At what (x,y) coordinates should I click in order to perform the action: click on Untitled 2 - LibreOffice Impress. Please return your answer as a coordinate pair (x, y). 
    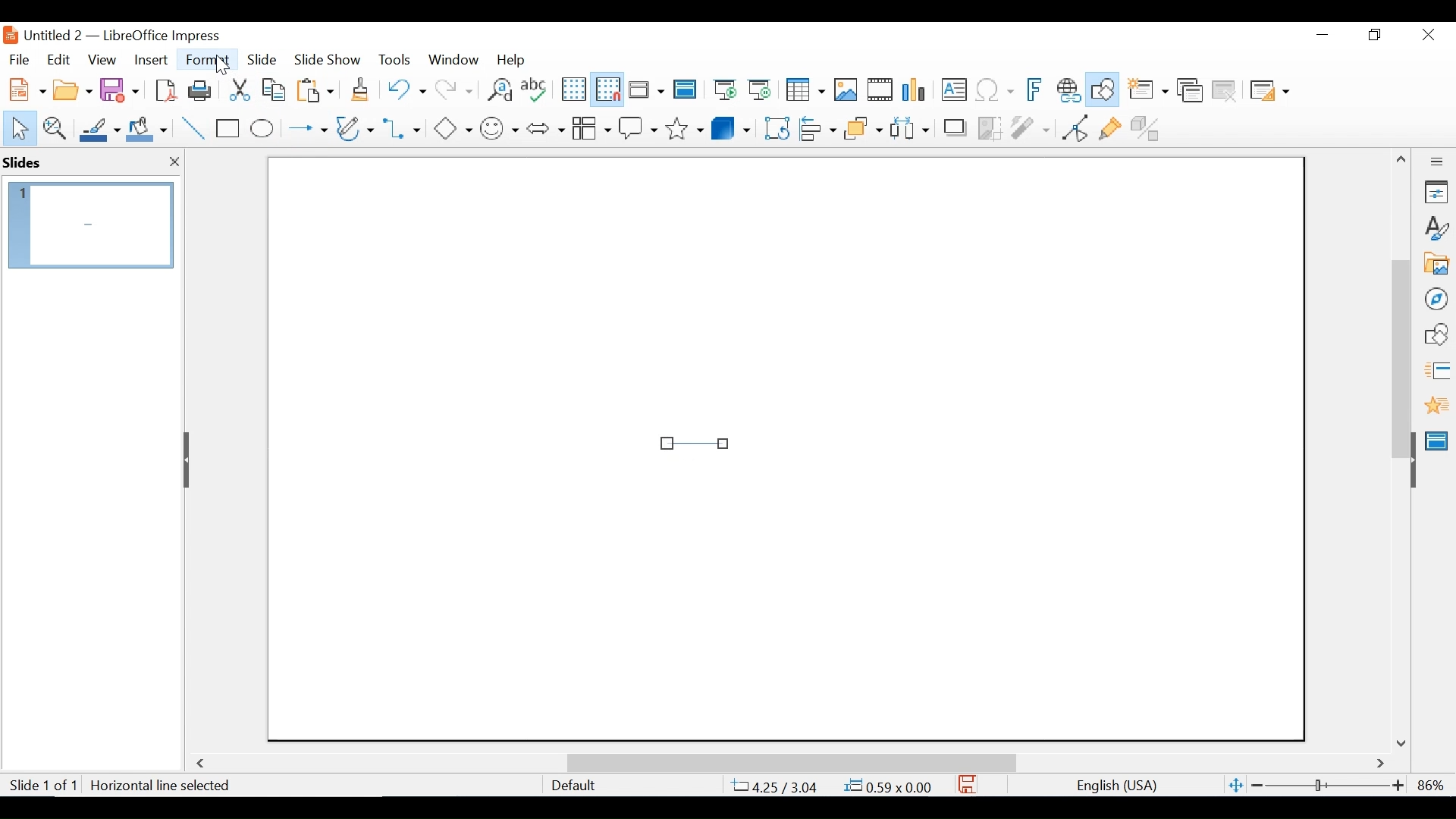
    Looking at the image, I should click on (137, 35).